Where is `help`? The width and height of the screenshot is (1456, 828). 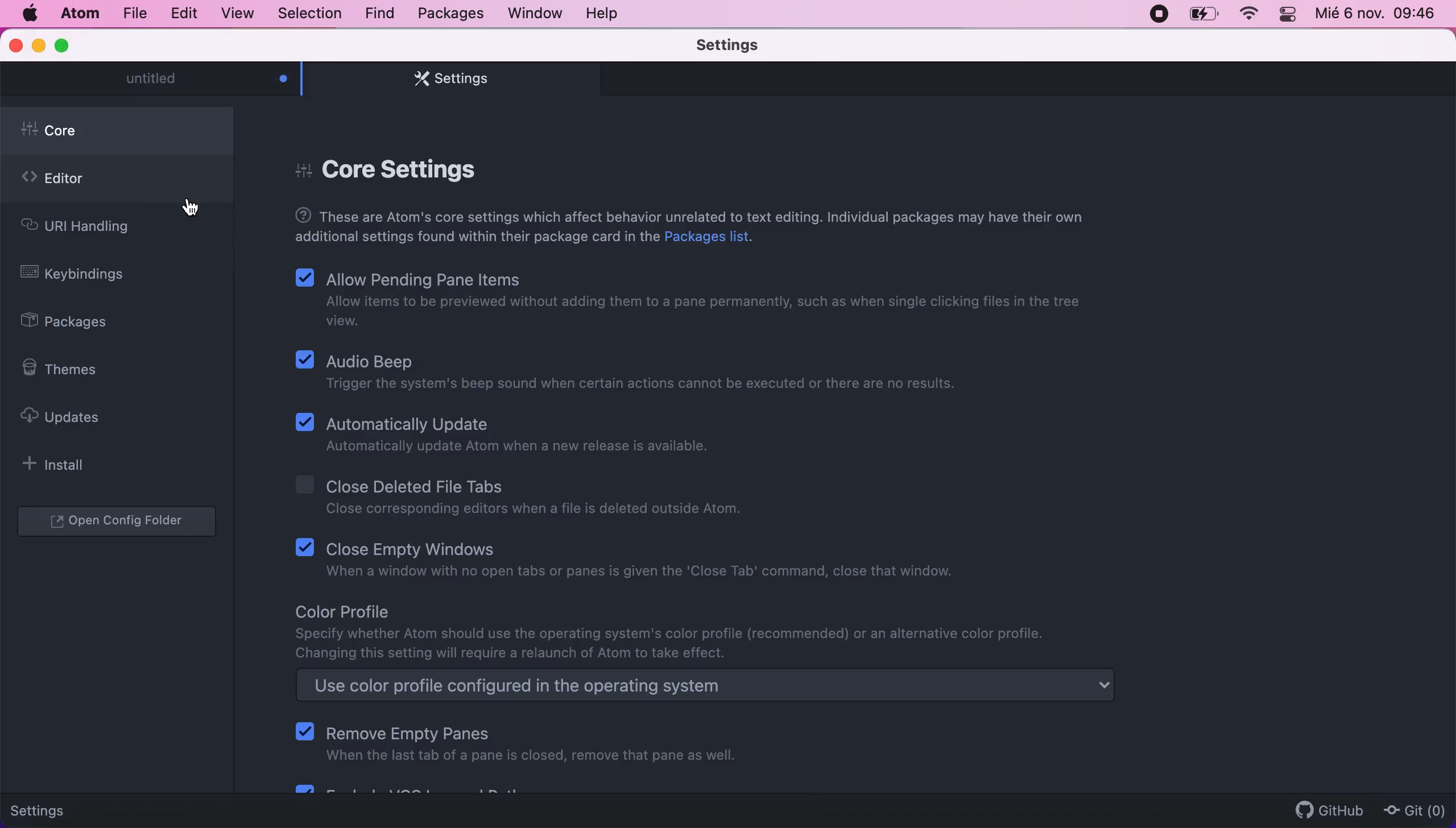 help is located at coordinates (610, 14).